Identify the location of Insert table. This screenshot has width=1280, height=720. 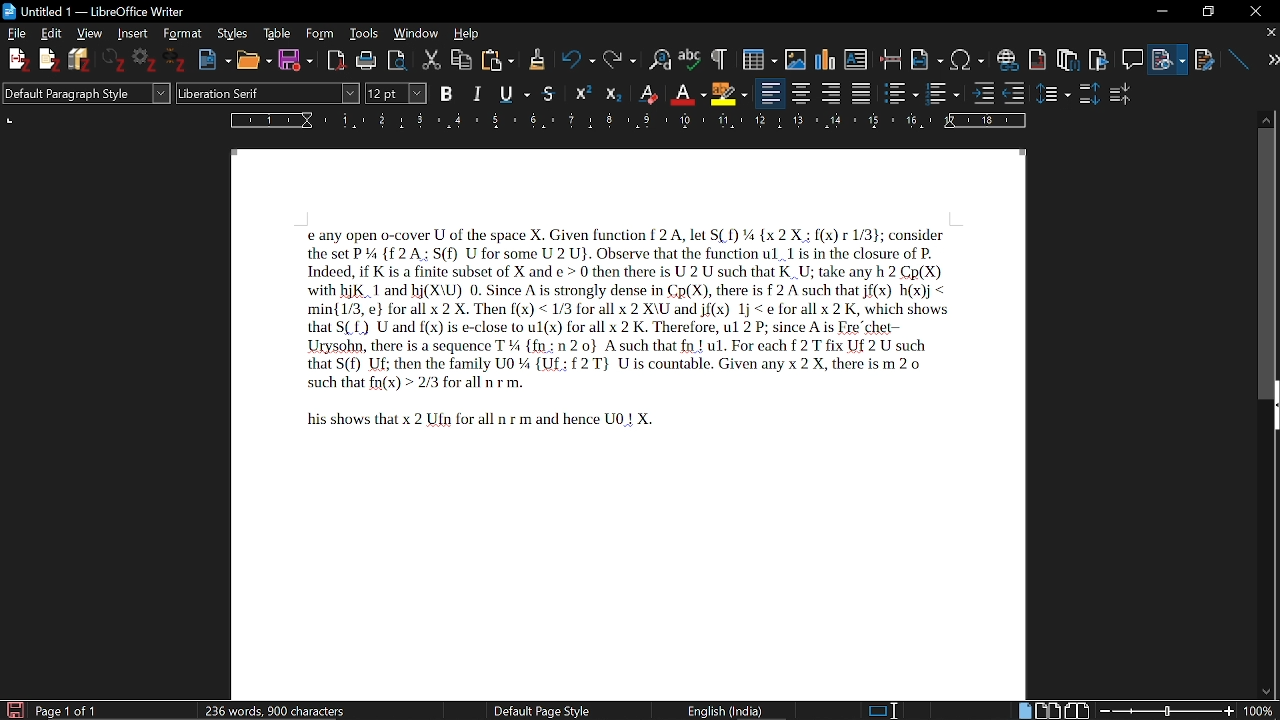
(752, 57).